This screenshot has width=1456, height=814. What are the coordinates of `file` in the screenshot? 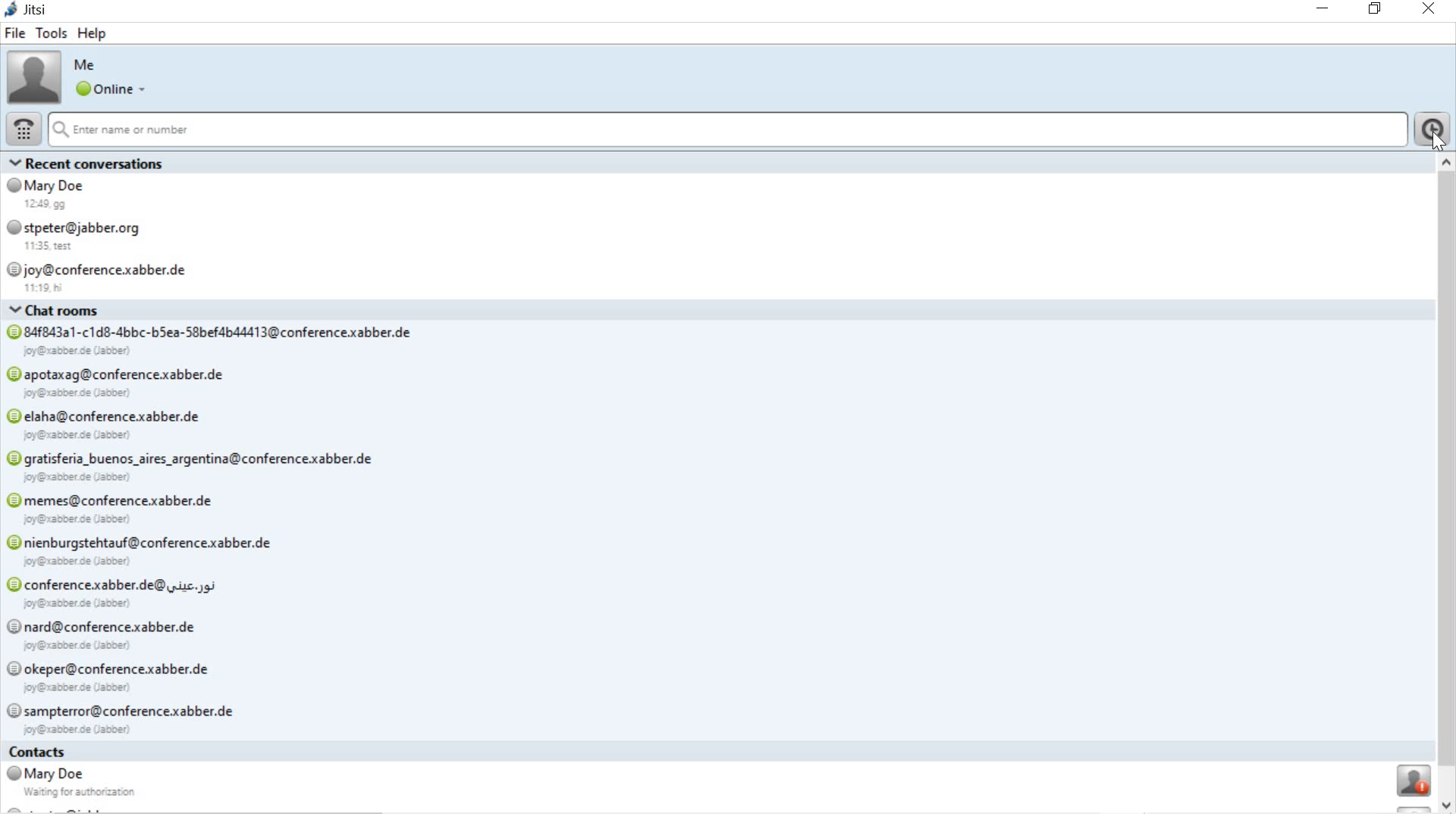 It's located at (14, 34).